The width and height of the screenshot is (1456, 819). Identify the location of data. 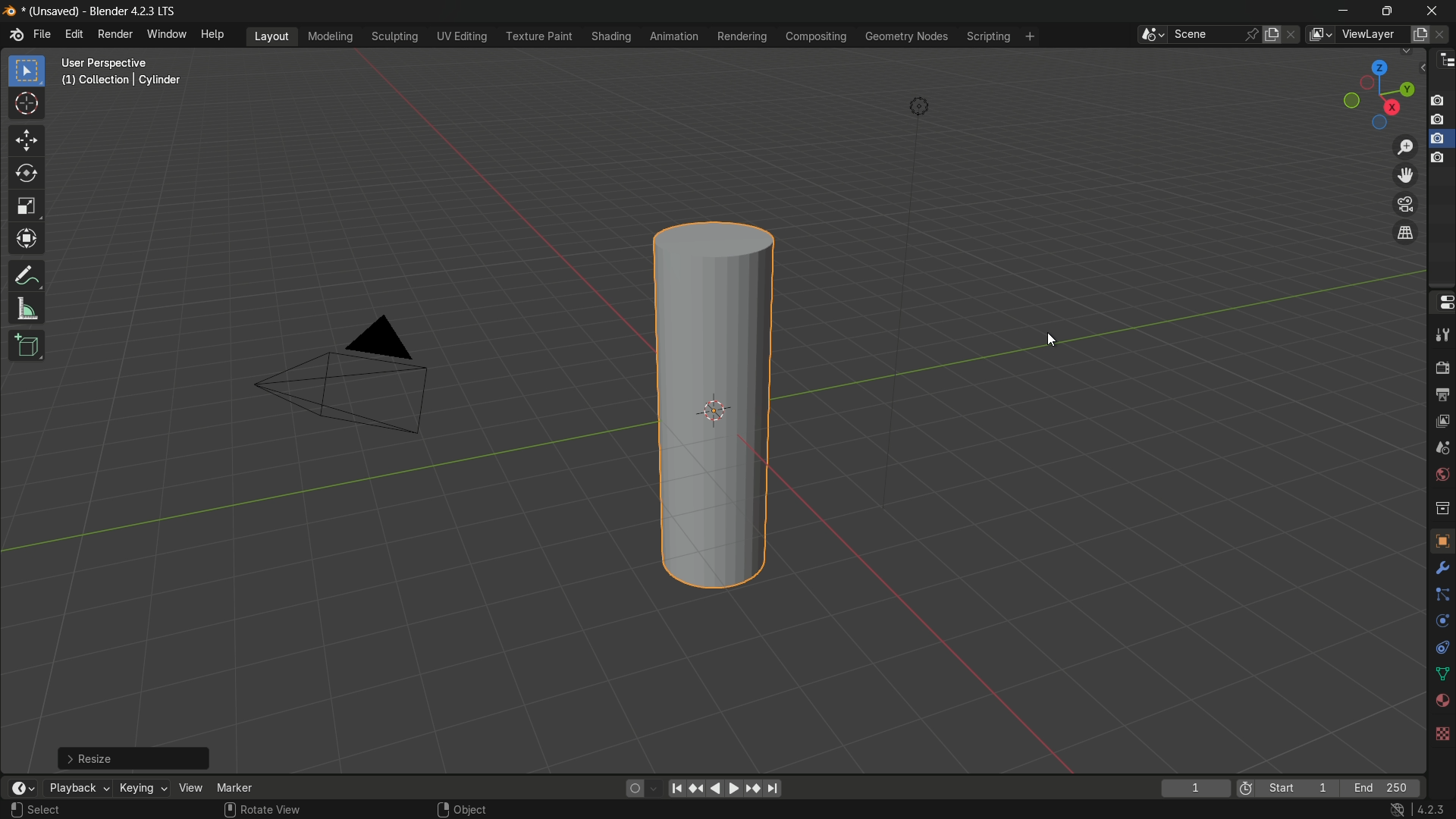
(1441, 676).